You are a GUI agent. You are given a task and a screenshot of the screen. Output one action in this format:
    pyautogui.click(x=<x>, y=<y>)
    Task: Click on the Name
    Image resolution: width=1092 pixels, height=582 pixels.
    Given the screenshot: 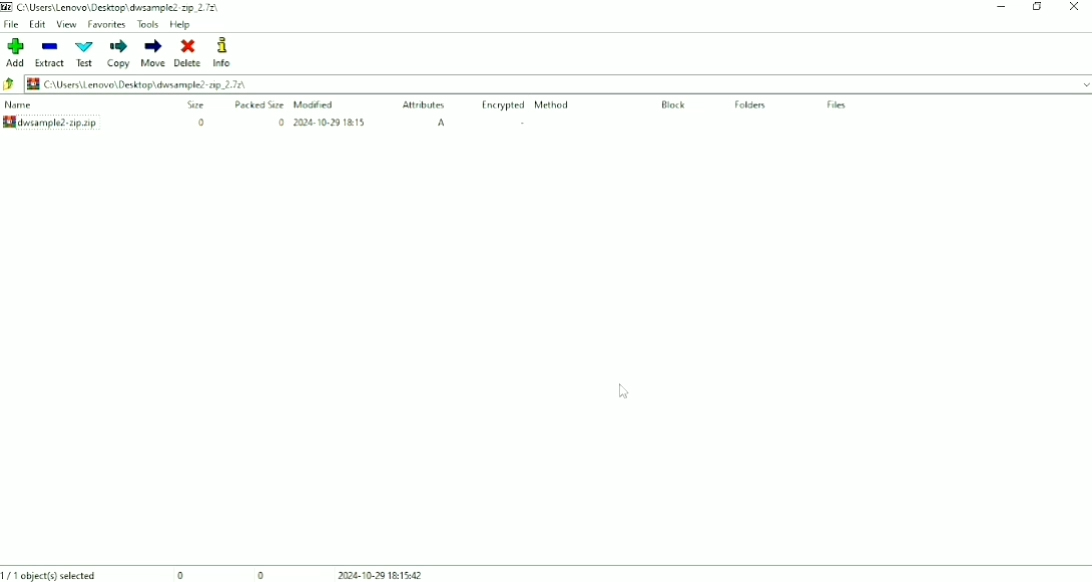 What is the action you would take?
    pyautogui.click(x=20, y=105)
    